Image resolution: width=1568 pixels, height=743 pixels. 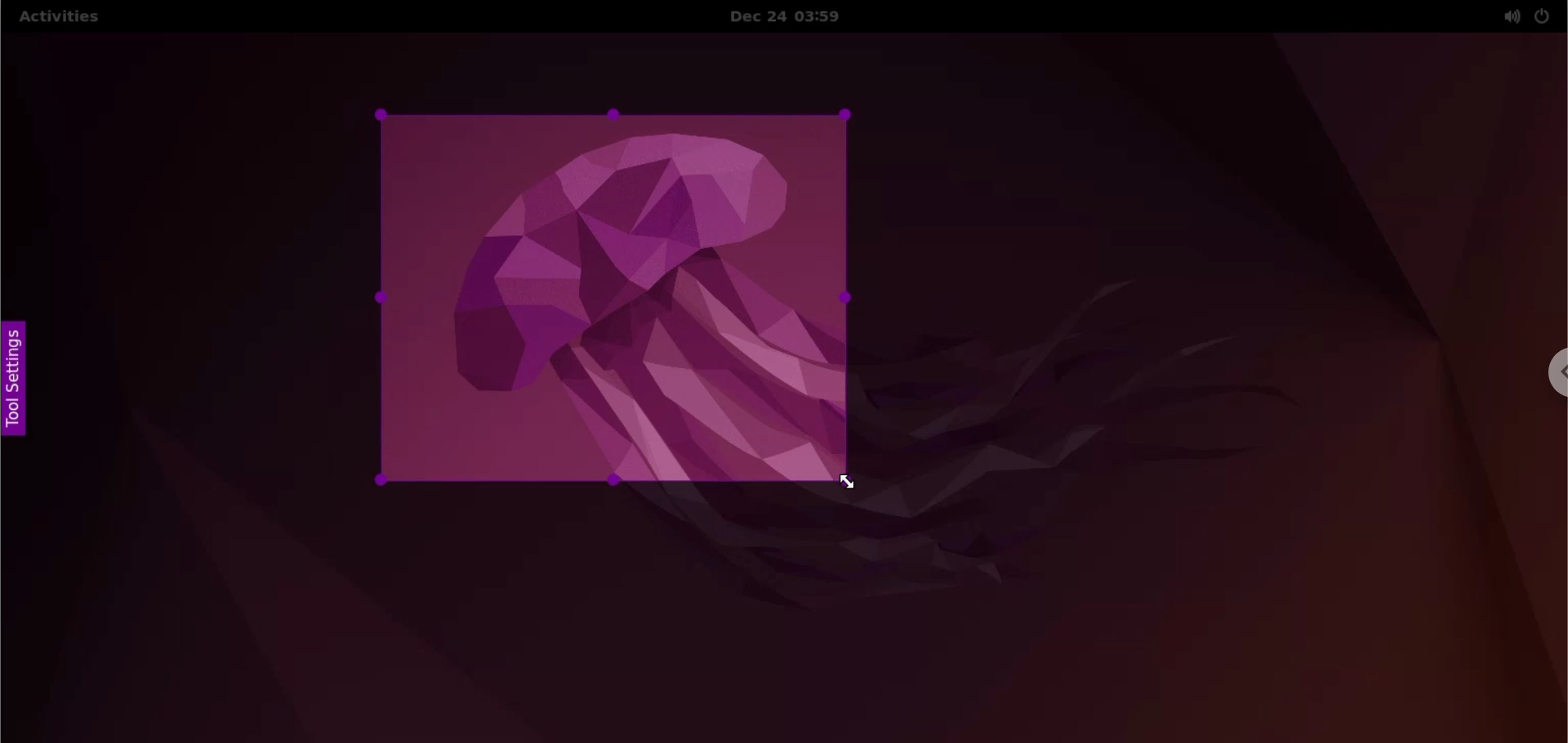 What do you see at coordinates (57, 17) in the screenshot?
I see `Activities` at bounding box center [57, 17].